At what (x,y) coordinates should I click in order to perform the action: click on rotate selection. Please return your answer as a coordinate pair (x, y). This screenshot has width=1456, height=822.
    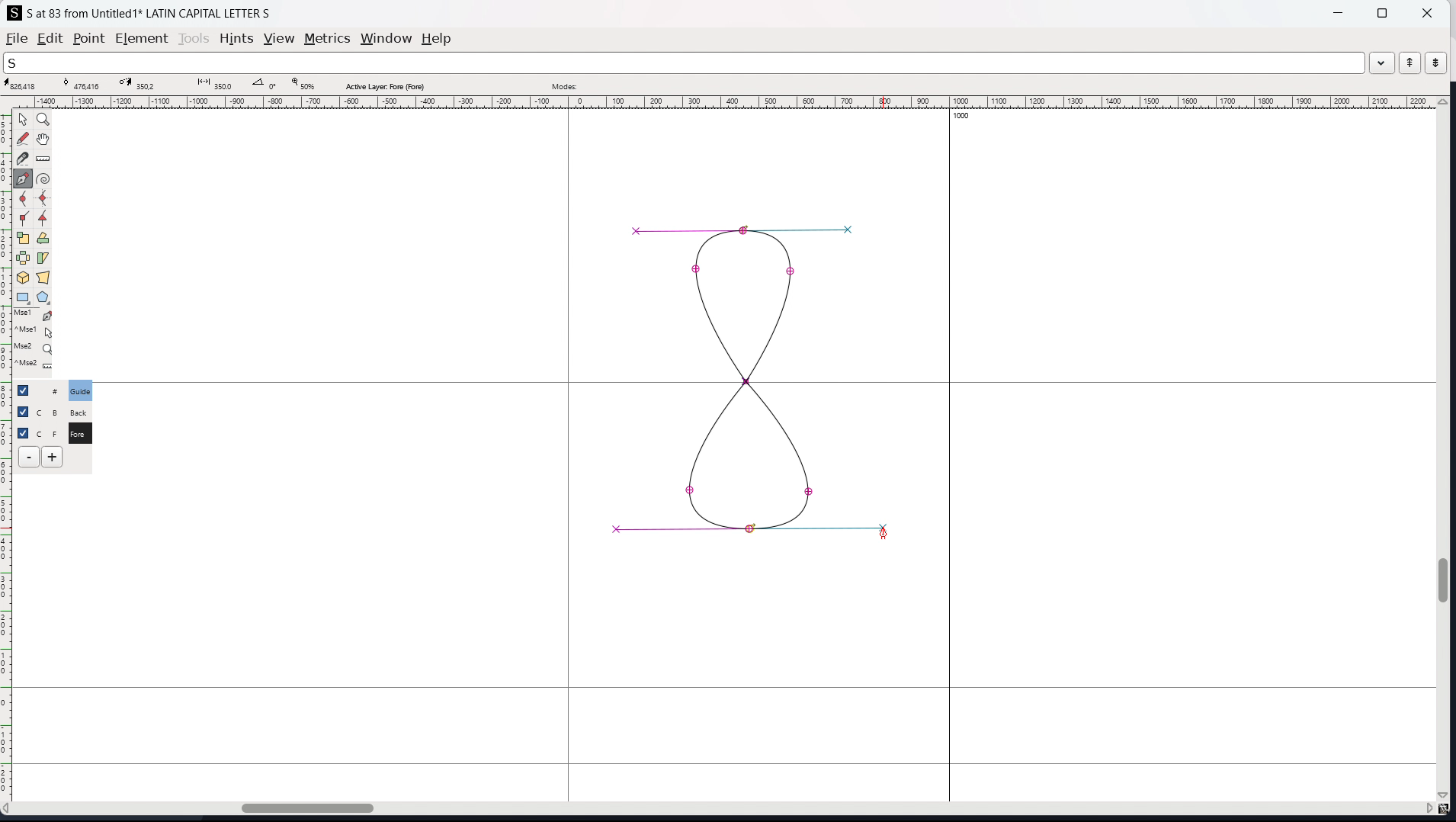
    Looking at the image, I should click on (43, 239).